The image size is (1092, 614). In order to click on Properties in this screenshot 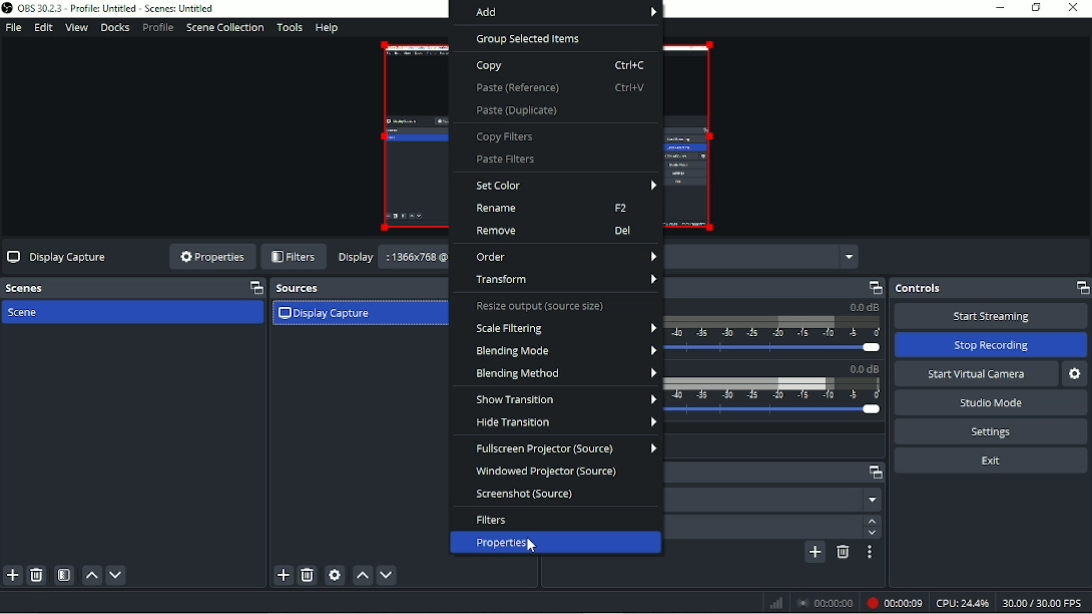, I will do `click(557, 543)`.